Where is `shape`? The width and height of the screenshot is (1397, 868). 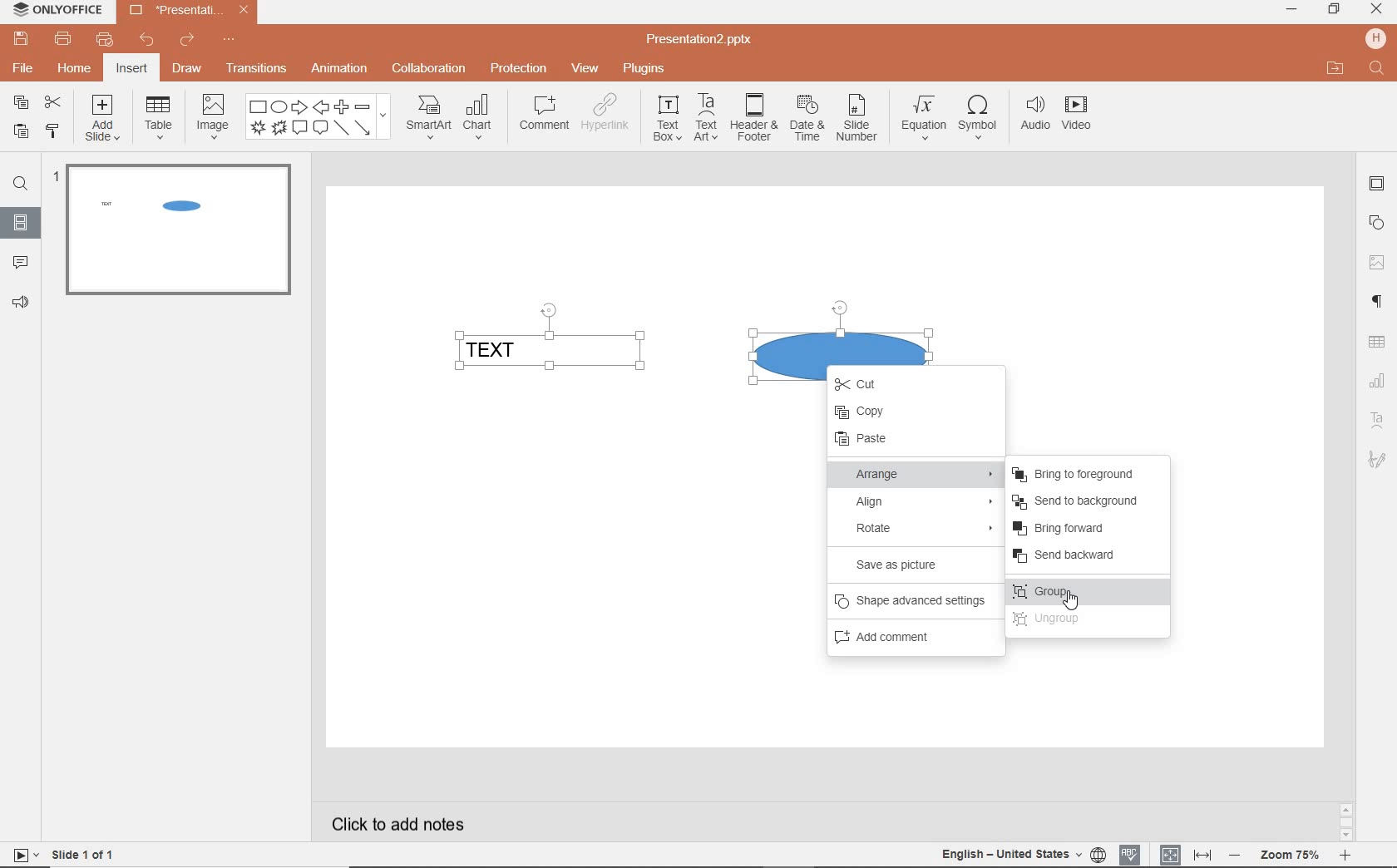
shape is located at coordinates (318, 118).